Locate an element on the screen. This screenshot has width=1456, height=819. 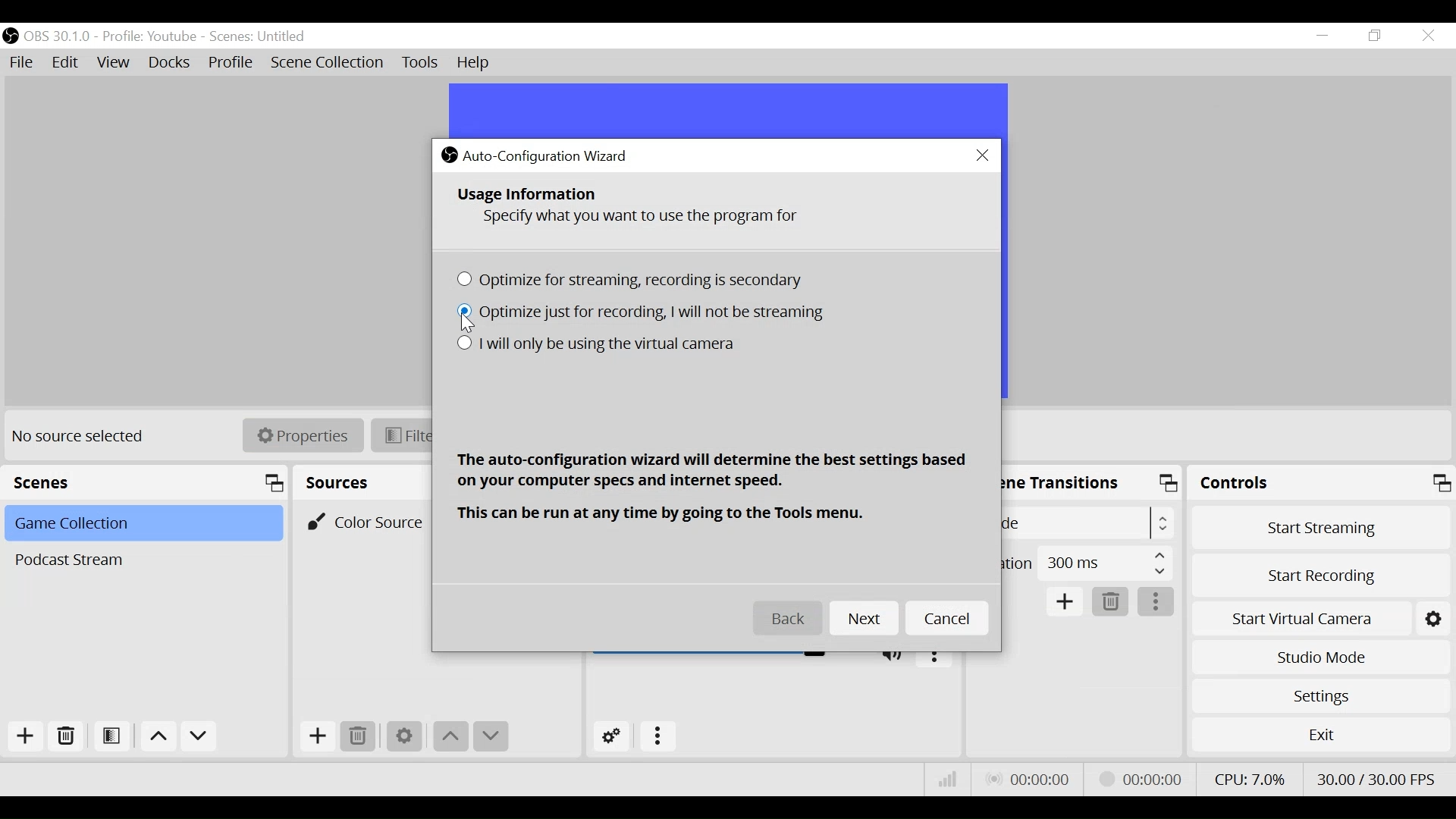
The auto-configuration wizard will determine the best settings based on your computer specs and internet speed is located at coordinates (713, 472).